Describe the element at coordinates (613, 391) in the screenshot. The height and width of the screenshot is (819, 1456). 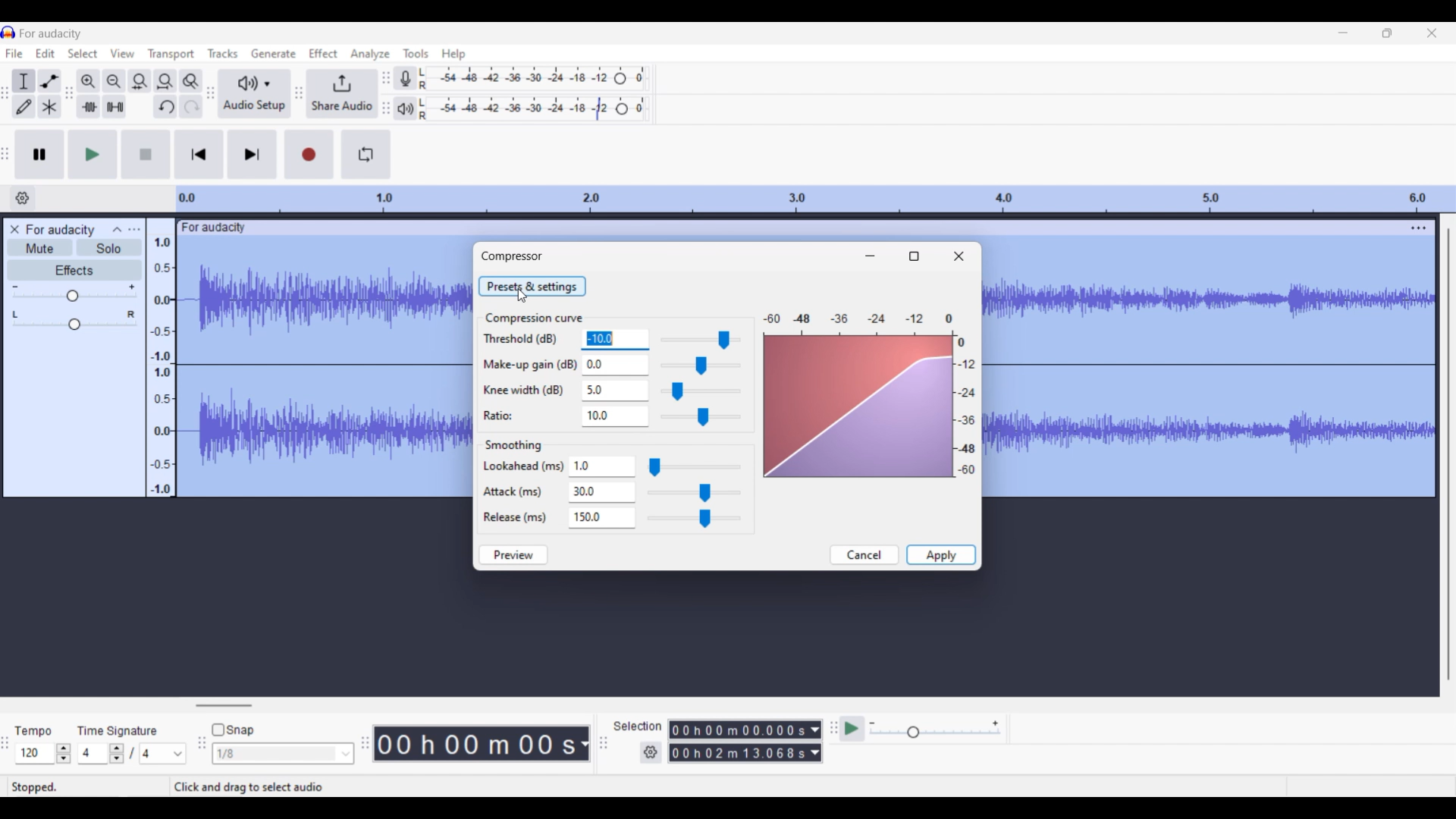
I see `Text box for Knee width` at that location.